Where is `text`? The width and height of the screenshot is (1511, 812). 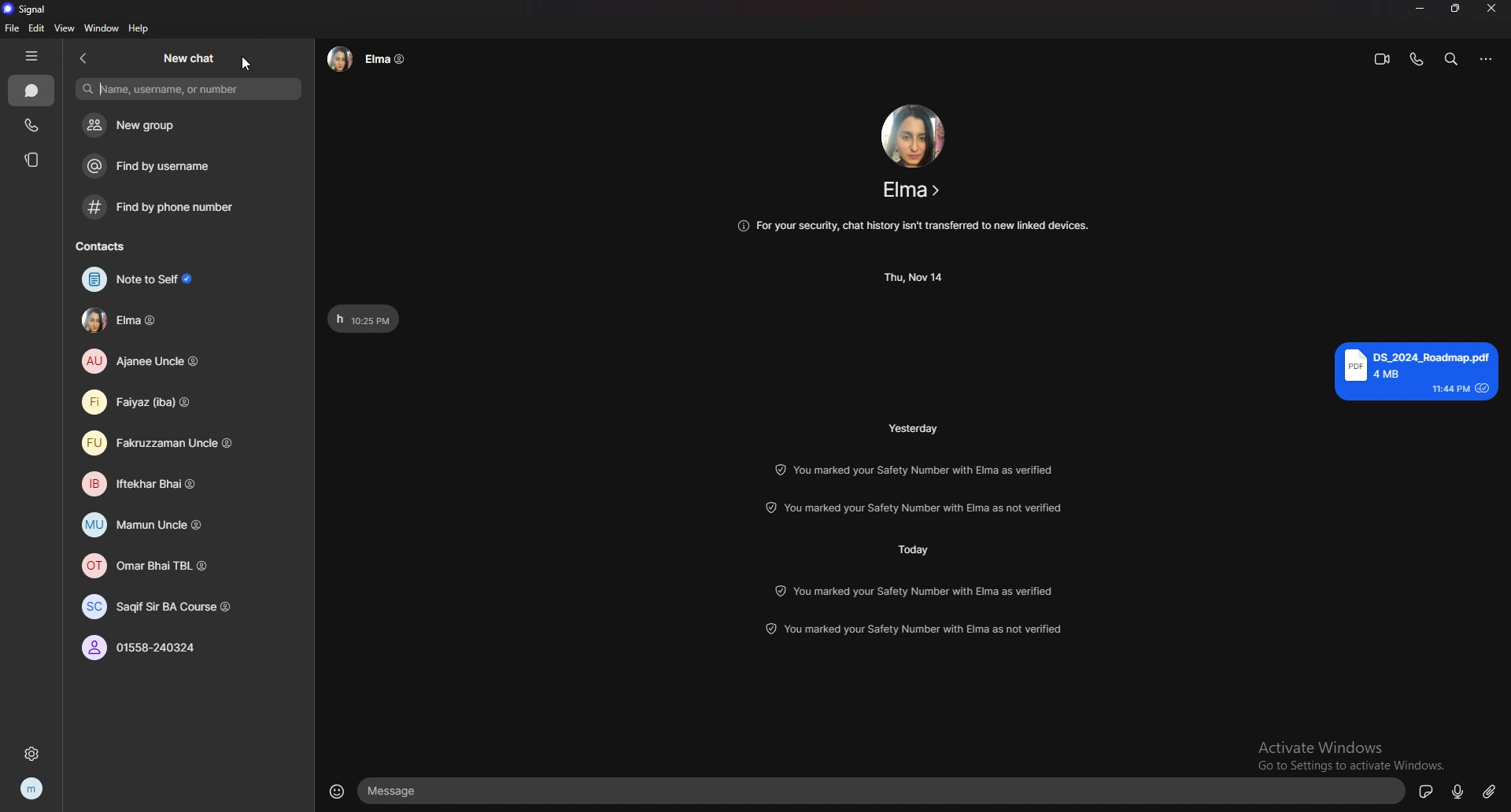 text is located at coordinates (364, 319).